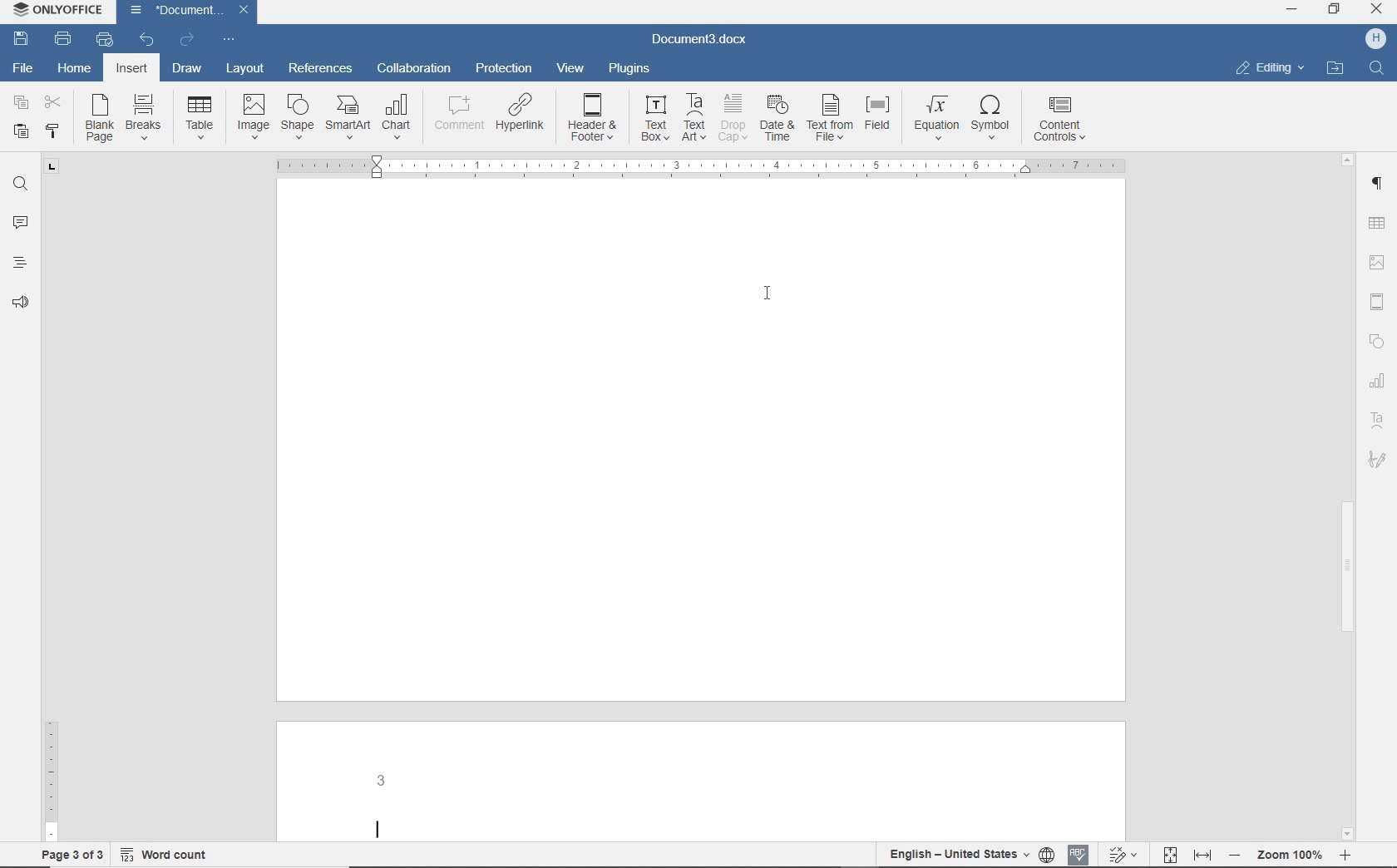  What do you see at coordinates (133, 71) in the screenshot?
I see `INSERT` at bounding box center [133, 71].